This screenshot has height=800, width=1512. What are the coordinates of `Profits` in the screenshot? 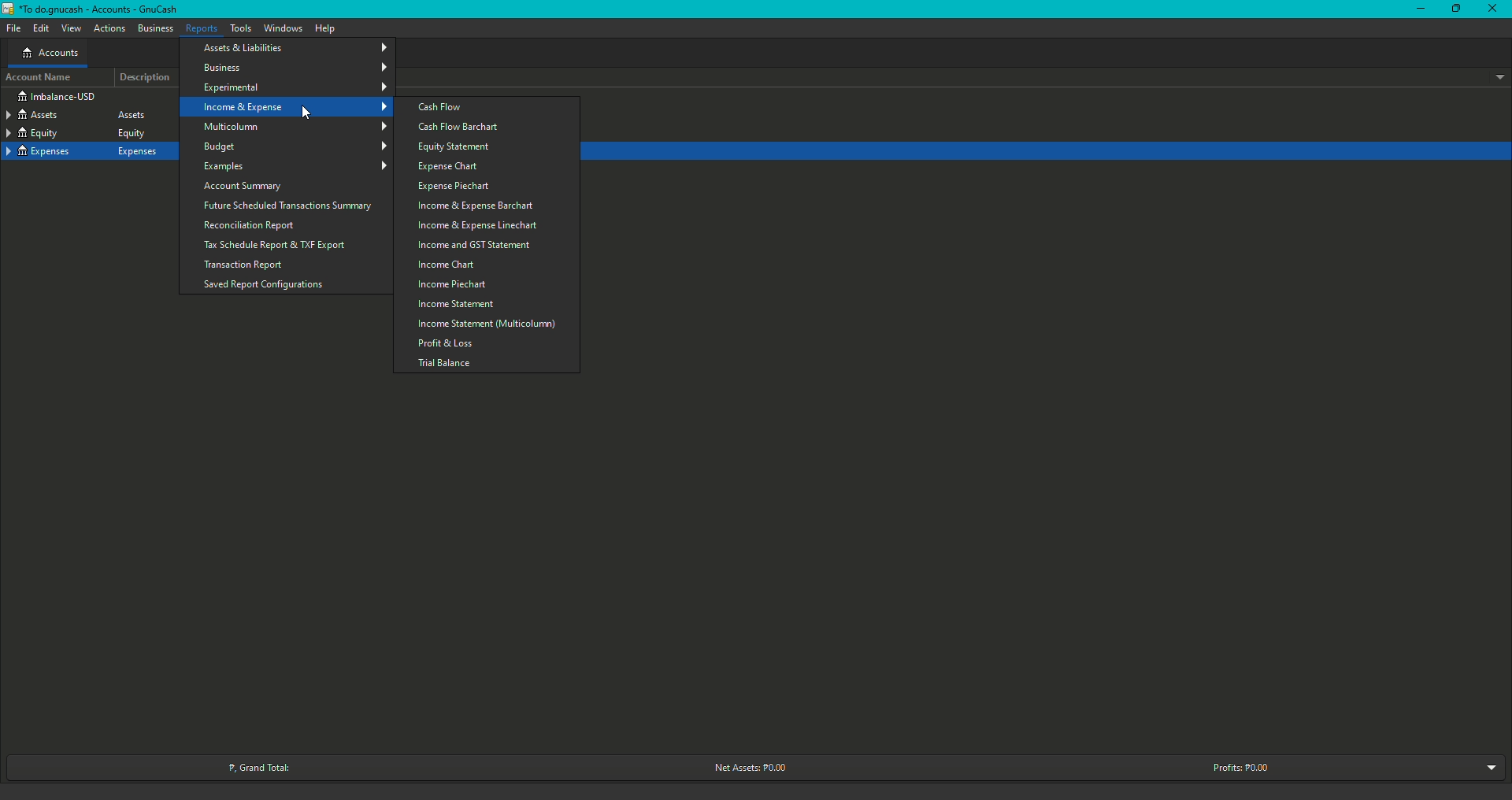 It's located at (1241, 766).